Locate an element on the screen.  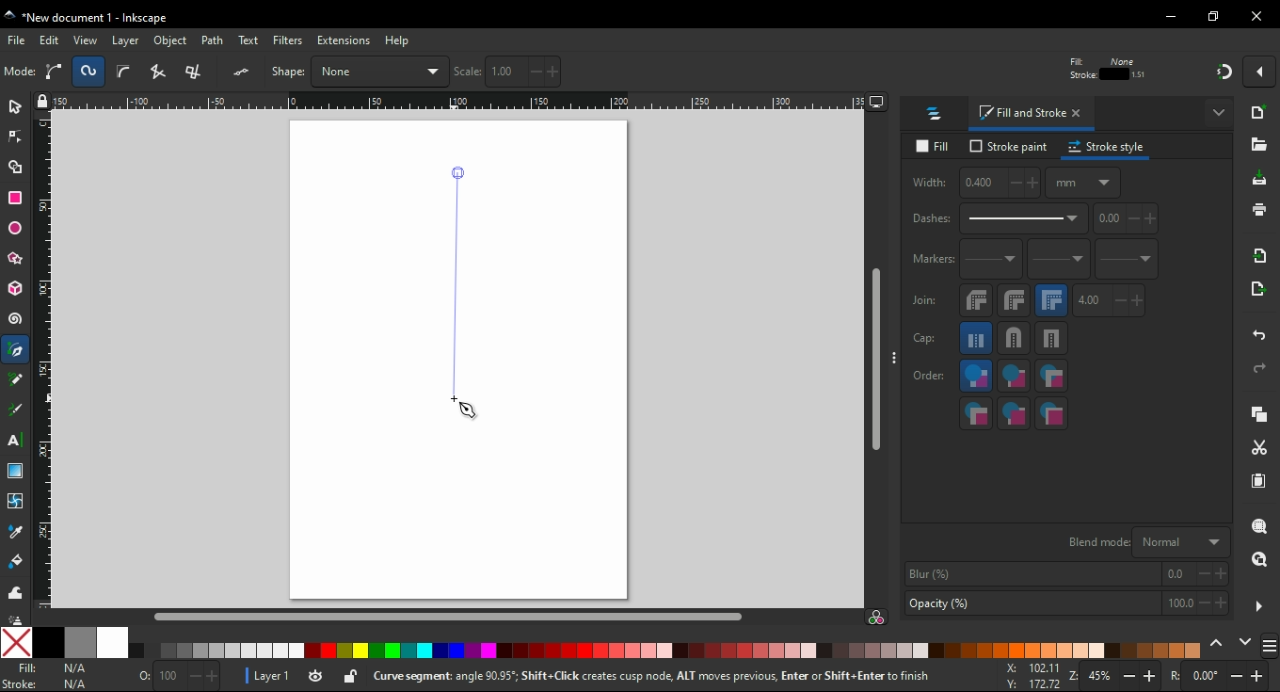
butt is located at coordinates (977, 338).